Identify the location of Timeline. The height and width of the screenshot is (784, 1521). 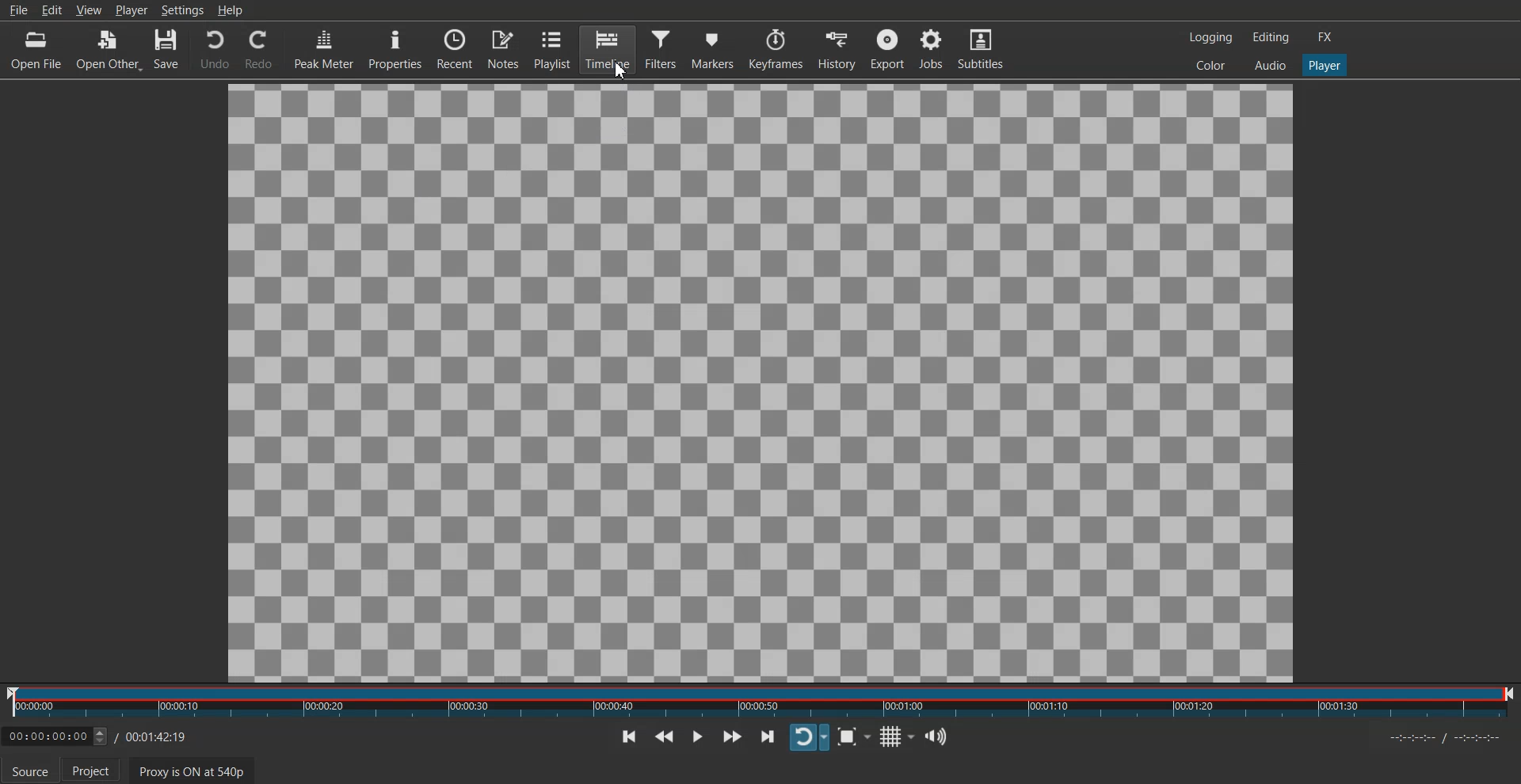
(608, 49).